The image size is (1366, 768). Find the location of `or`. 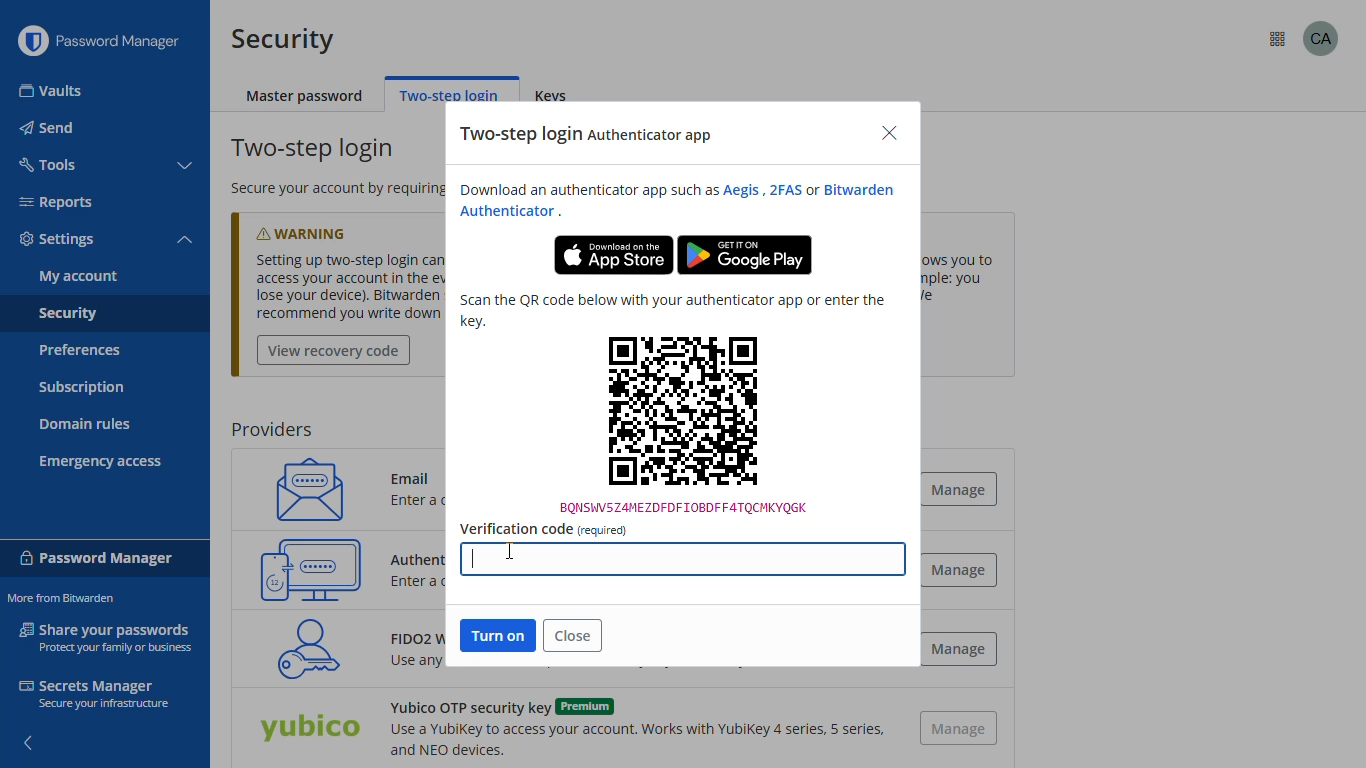

or is located at coordinates (812, 191).